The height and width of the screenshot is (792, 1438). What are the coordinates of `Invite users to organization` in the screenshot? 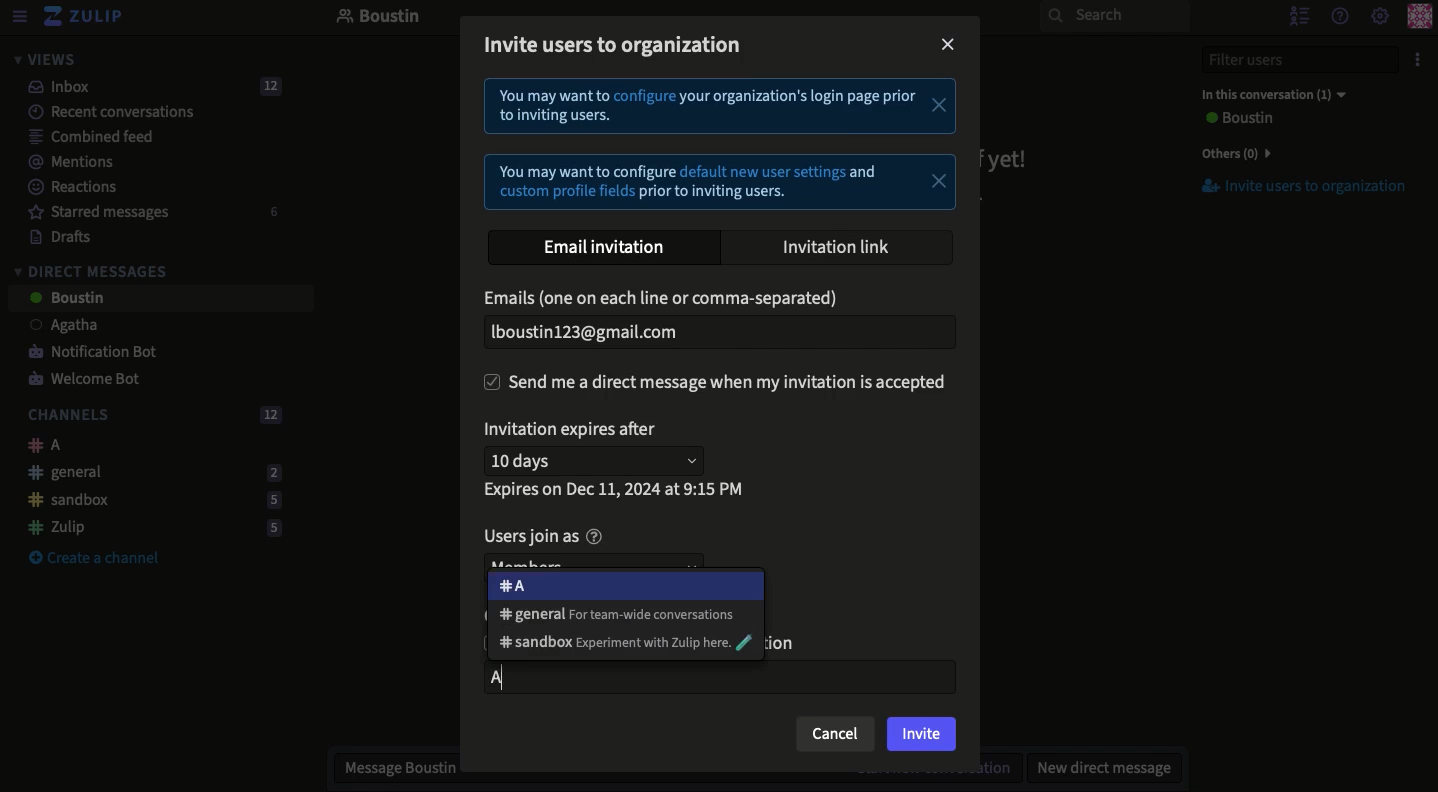 It's located at (1293, 187).